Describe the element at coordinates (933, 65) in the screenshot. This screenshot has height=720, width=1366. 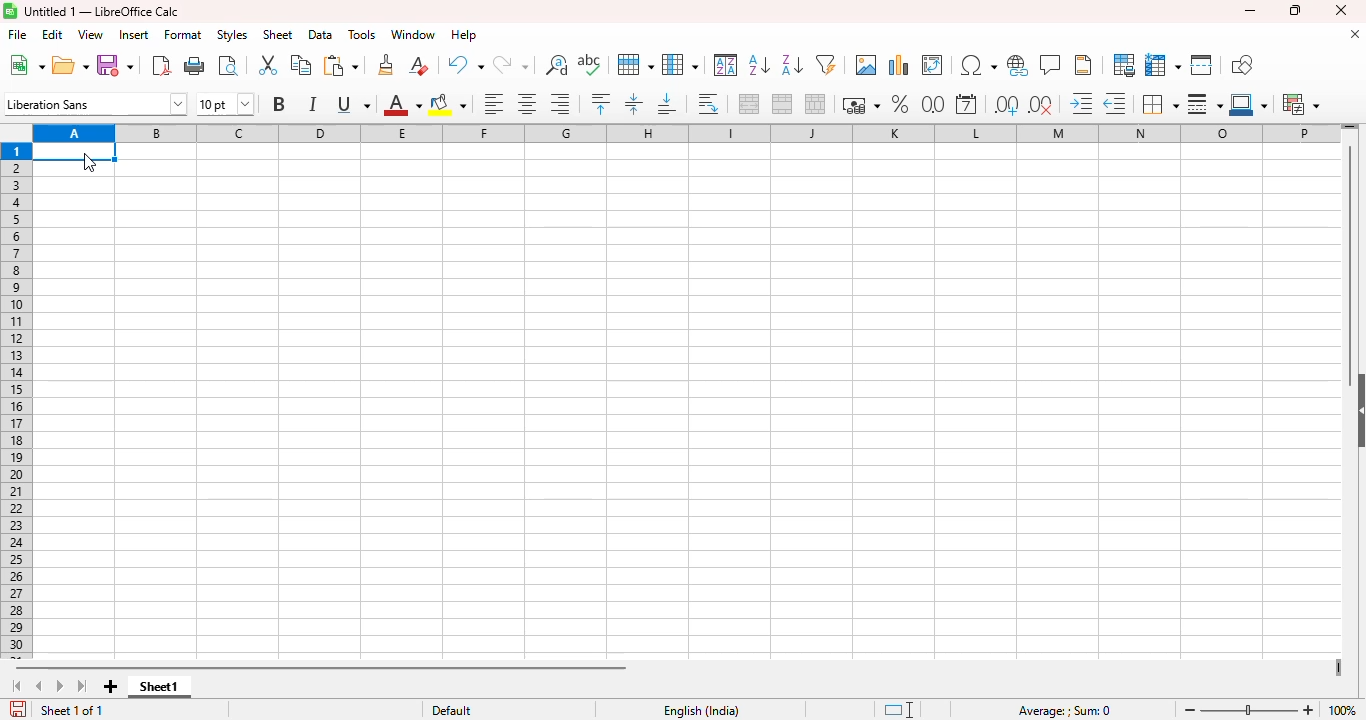
I see `insert or edit pivot table` at that location.